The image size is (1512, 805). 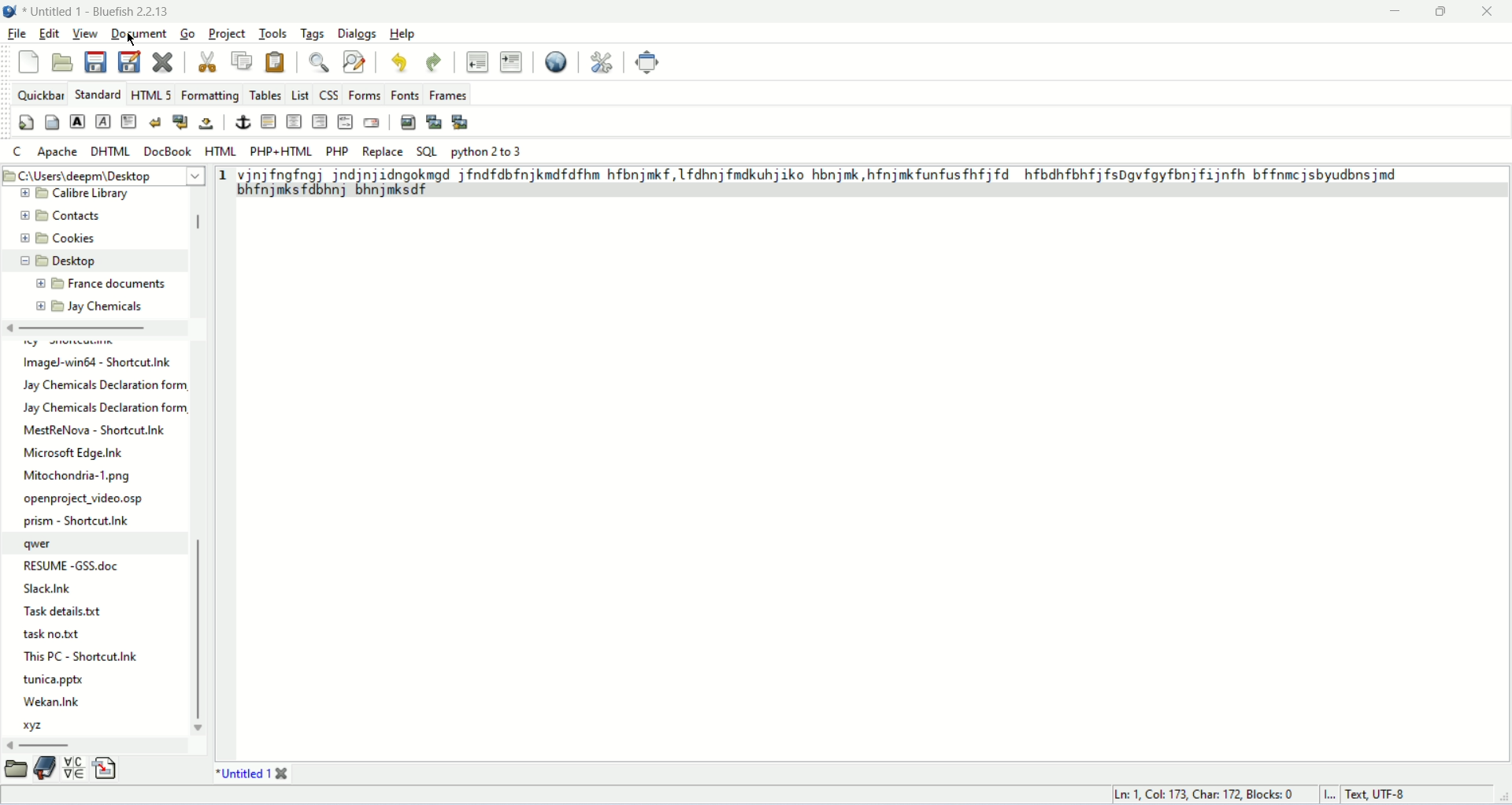 What do you see at coordinates (265, 95) in the screenshot?
I see `tables` at bounding box center [265, 95].